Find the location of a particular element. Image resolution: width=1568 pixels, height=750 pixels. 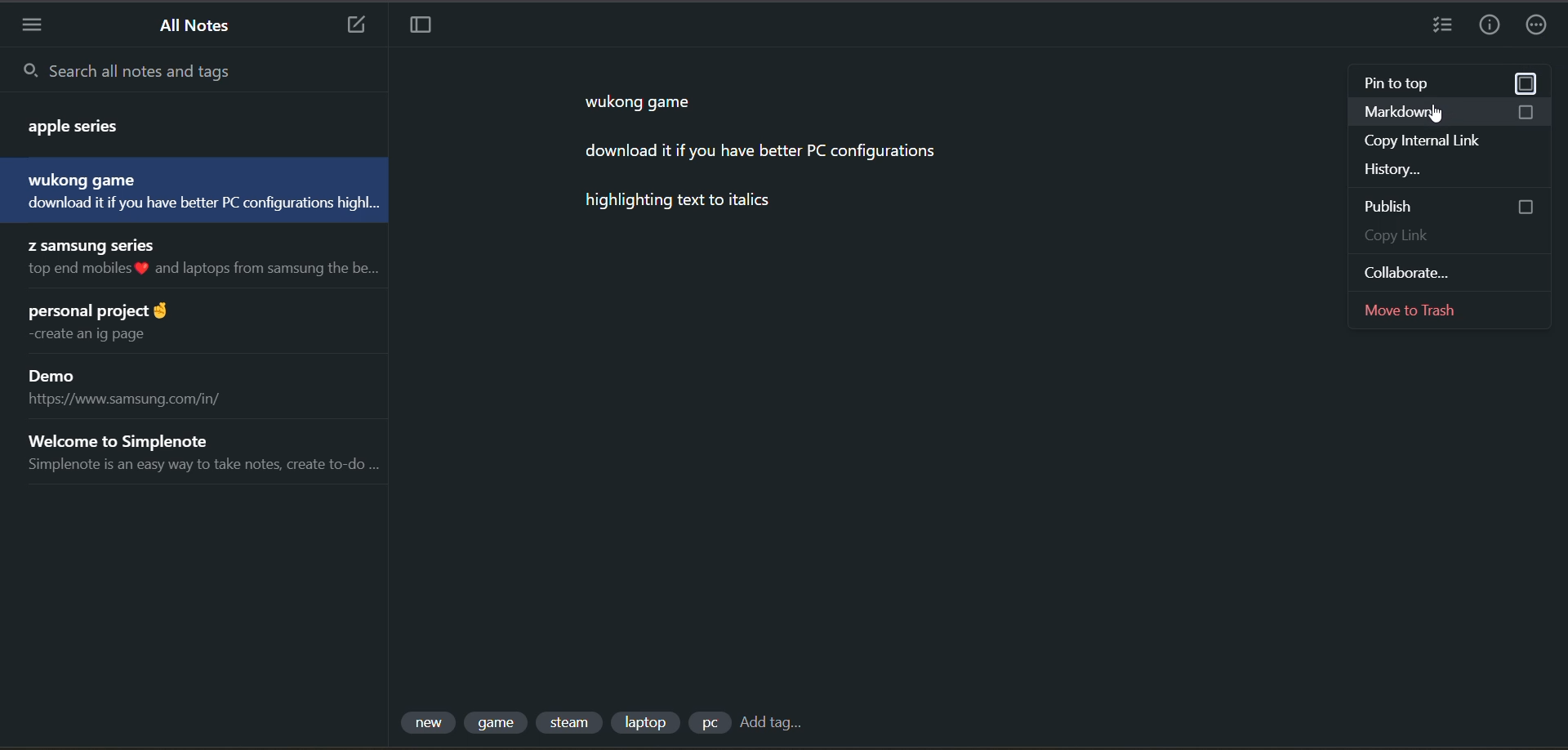

actions is located at coordinates (1541, 27).